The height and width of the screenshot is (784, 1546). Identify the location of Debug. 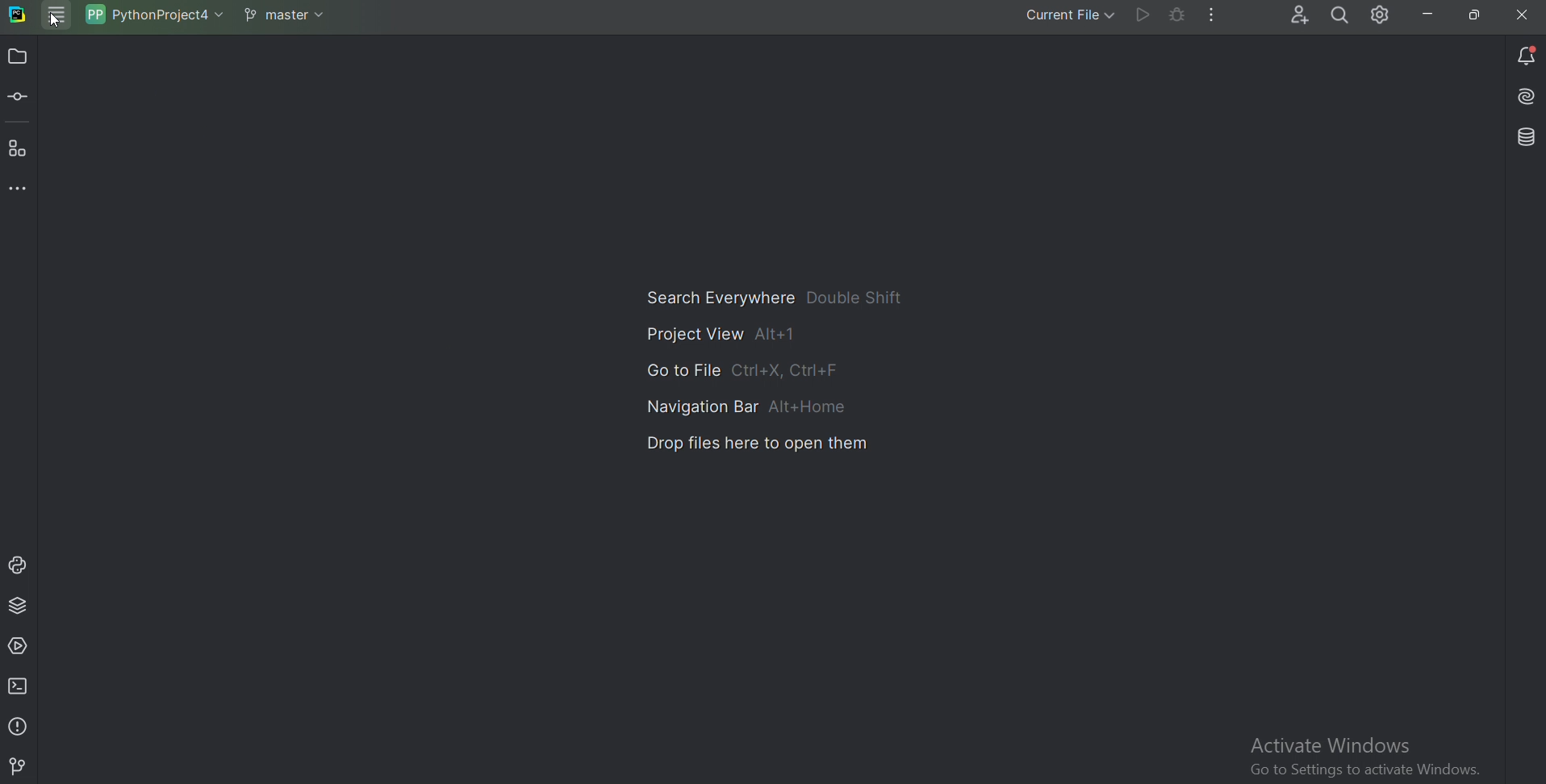
(1172, 16).